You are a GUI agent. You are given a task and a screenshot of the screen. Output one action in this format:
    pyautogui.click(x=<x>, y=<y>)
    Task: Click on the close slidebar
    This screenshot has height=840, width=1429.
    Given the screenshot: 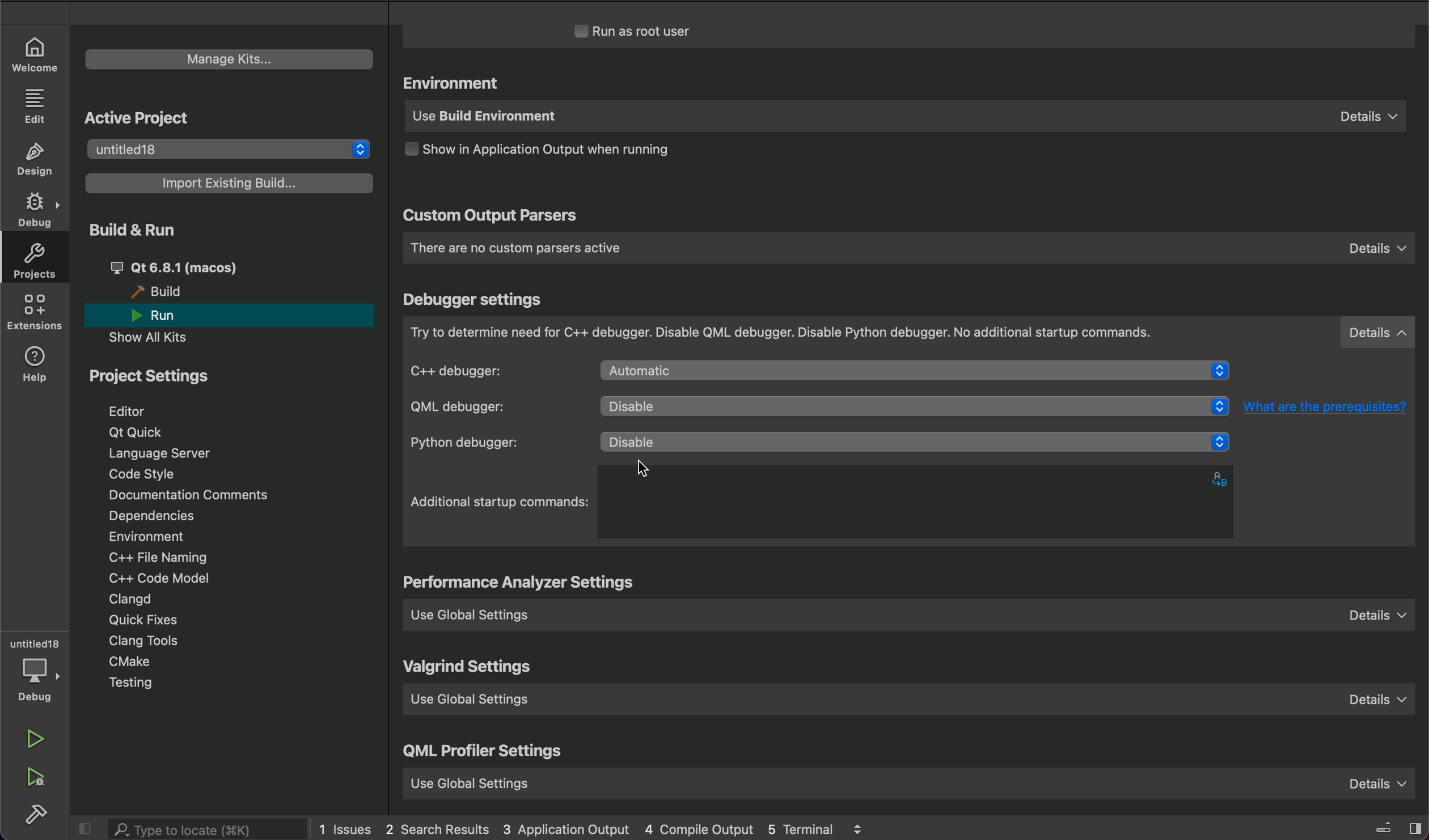 What is the action you would take?
    pyautogui.click(x=90, y=829)
    